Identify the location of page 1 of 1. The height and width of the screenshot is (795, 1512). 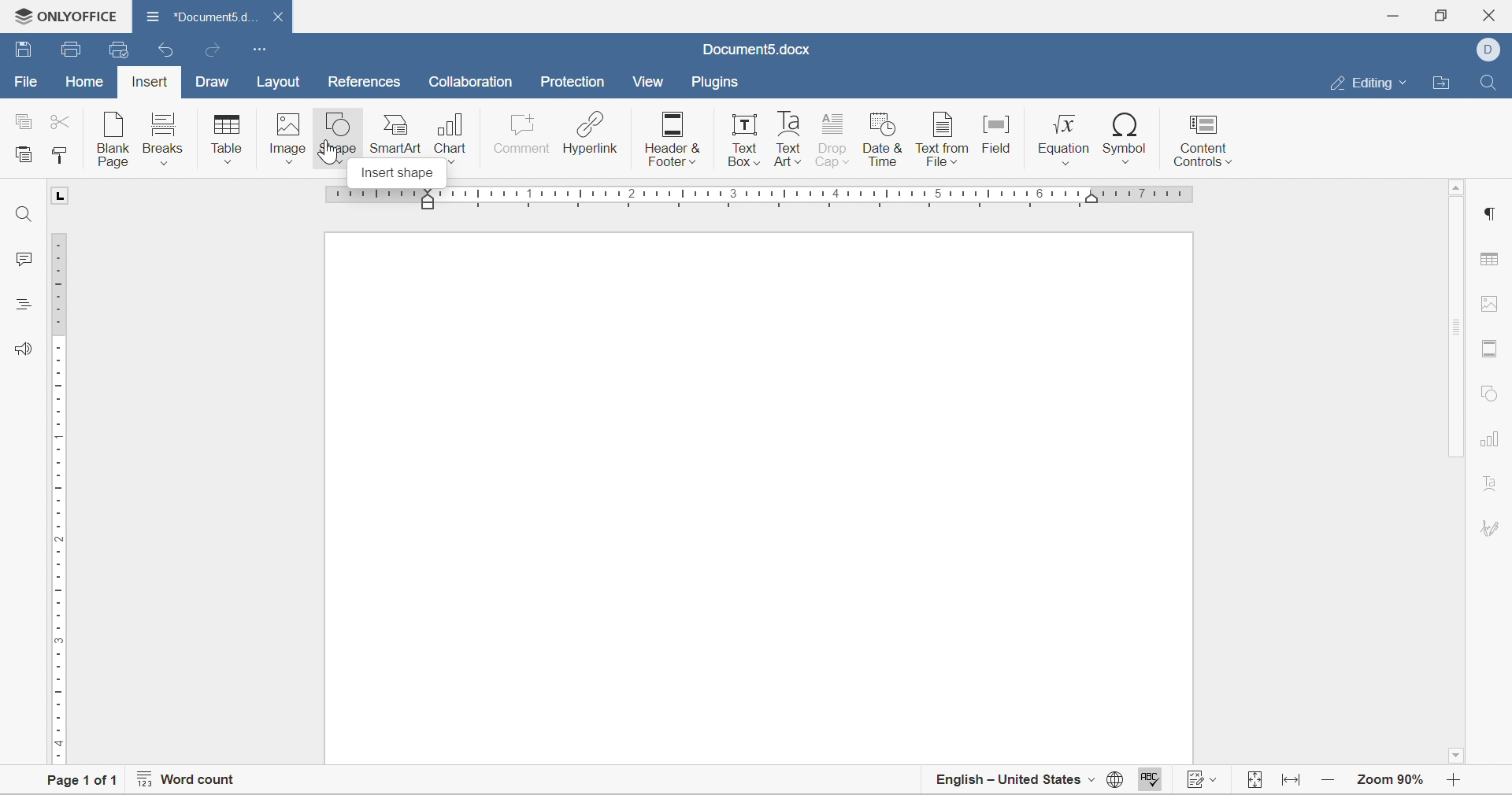
(78, 782).